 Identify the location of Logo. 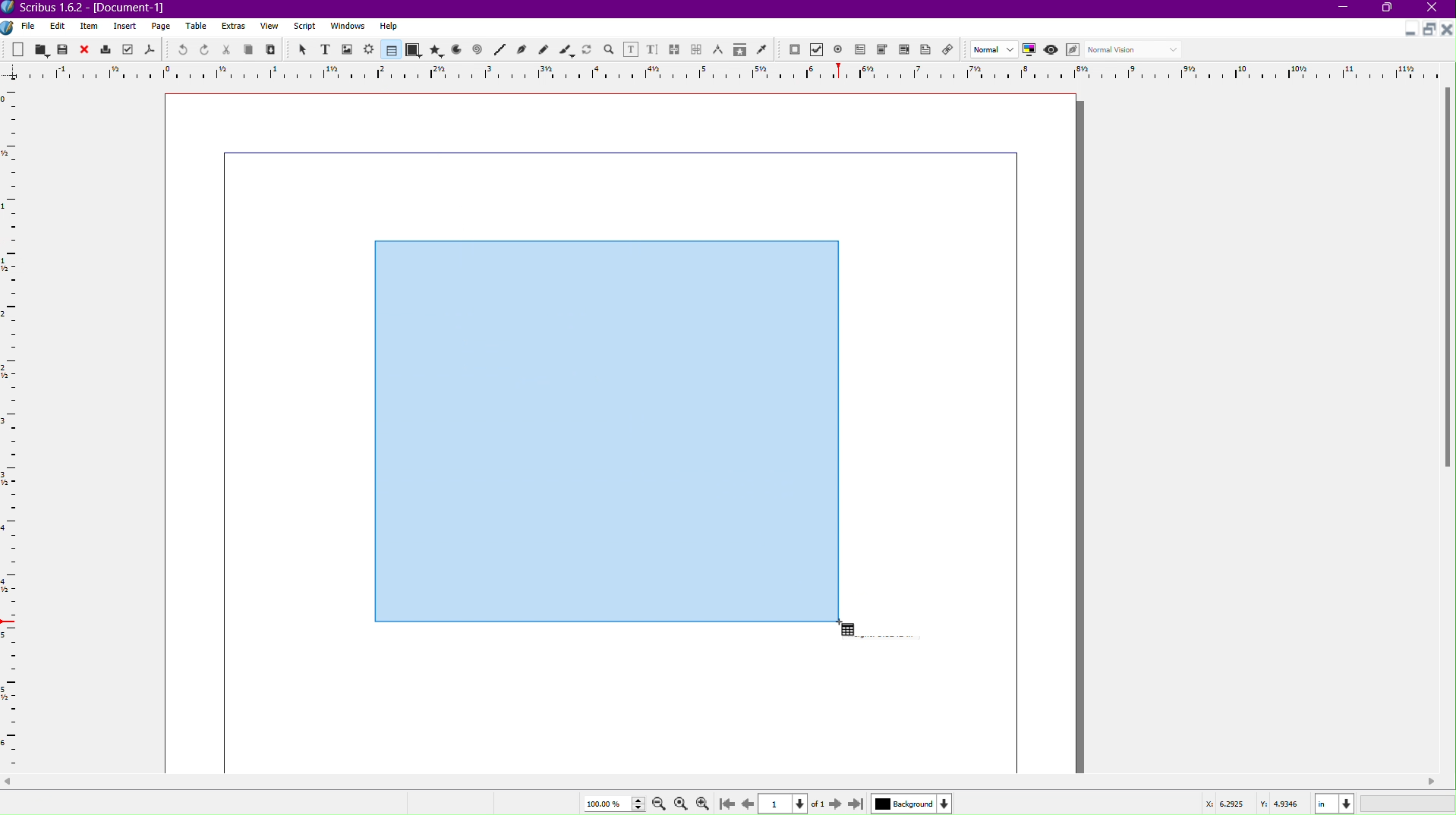
(9, 27).